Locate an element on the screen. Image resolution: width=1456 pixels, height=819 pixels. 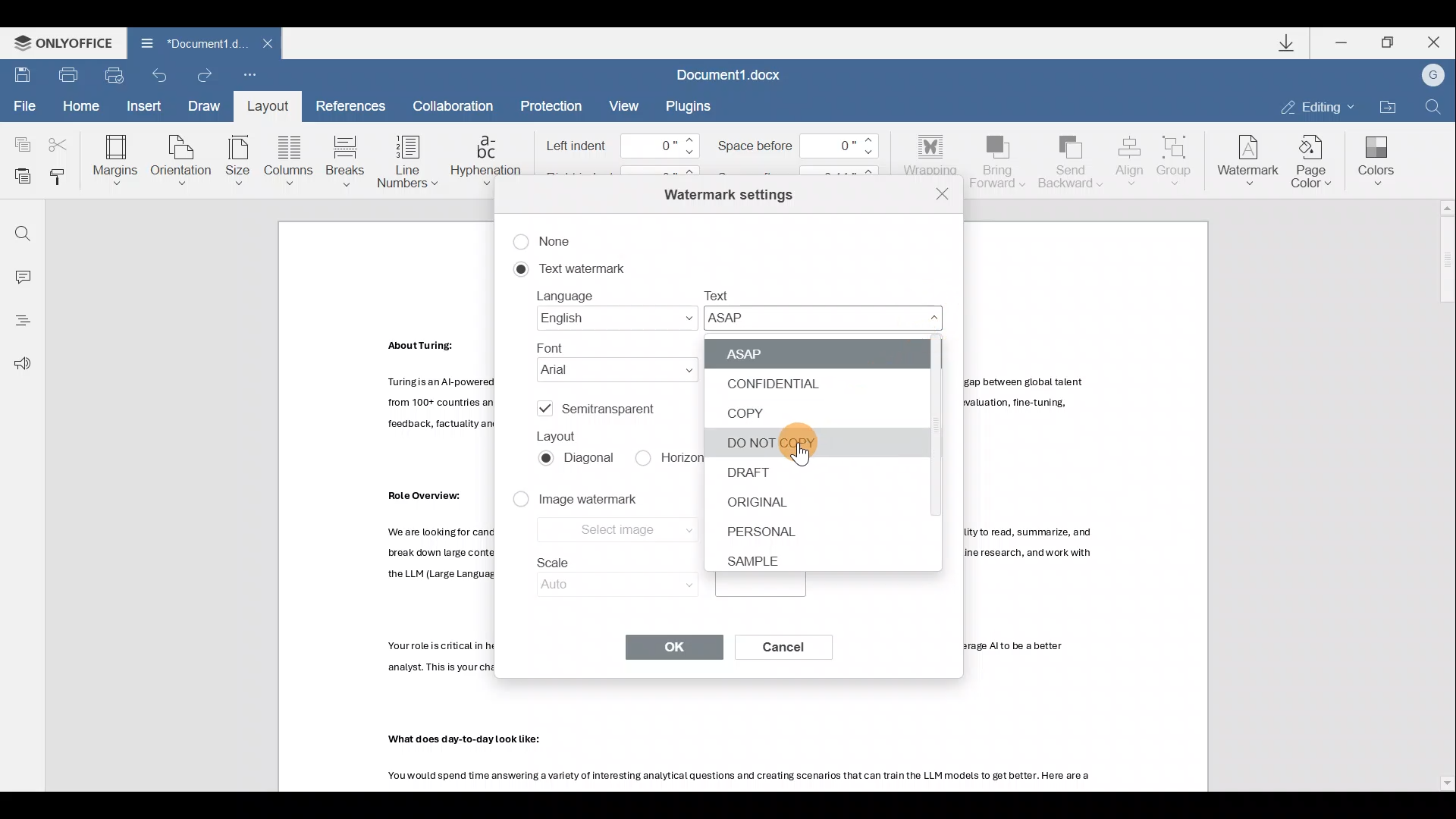
Semitransparent is located at coordinates (602, 411).